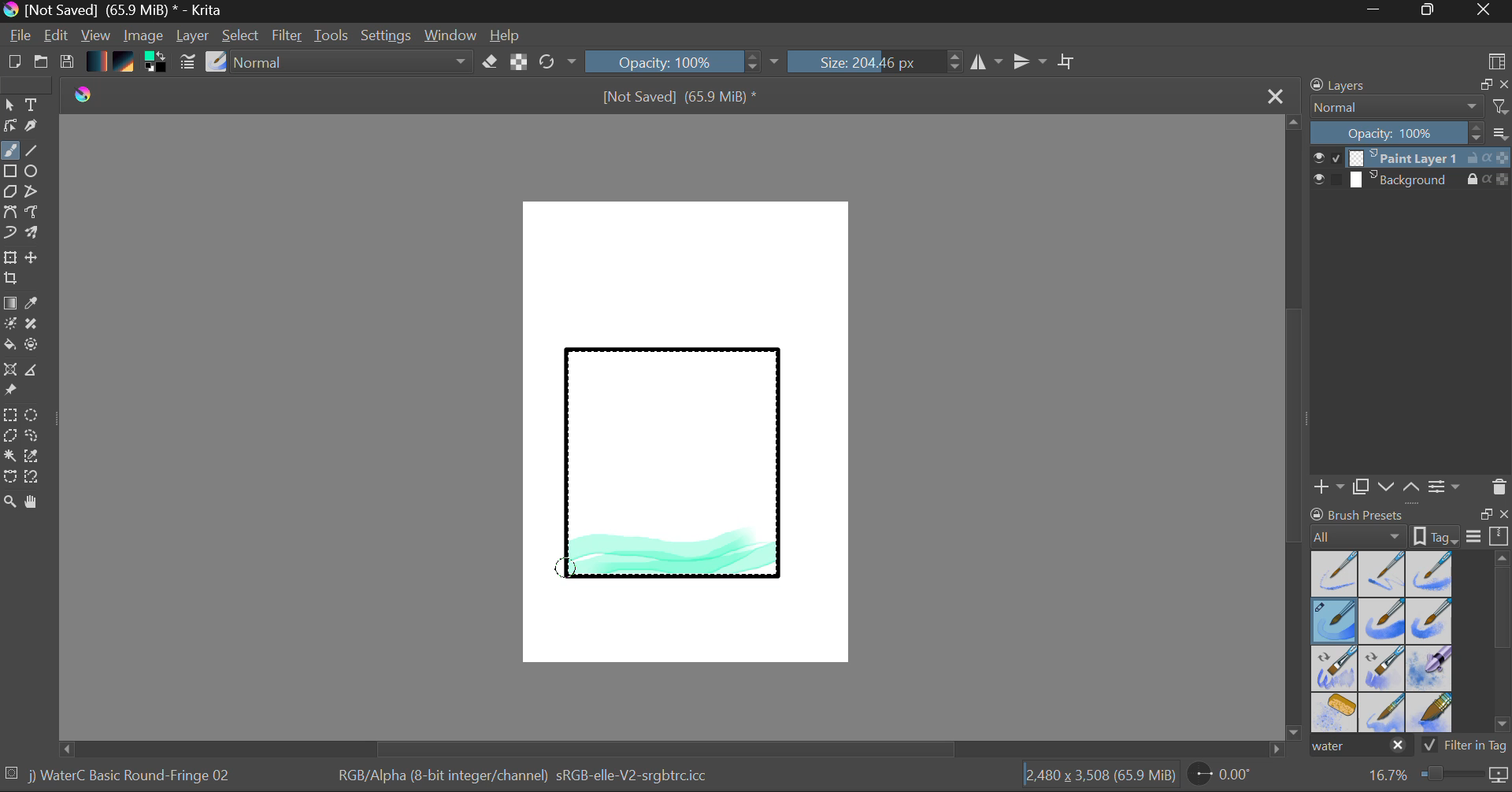  What do you see at coordinates (9, 417) in the screenshot?
I see `Rectangle Selection Tool` at bounding box center [9, 417].